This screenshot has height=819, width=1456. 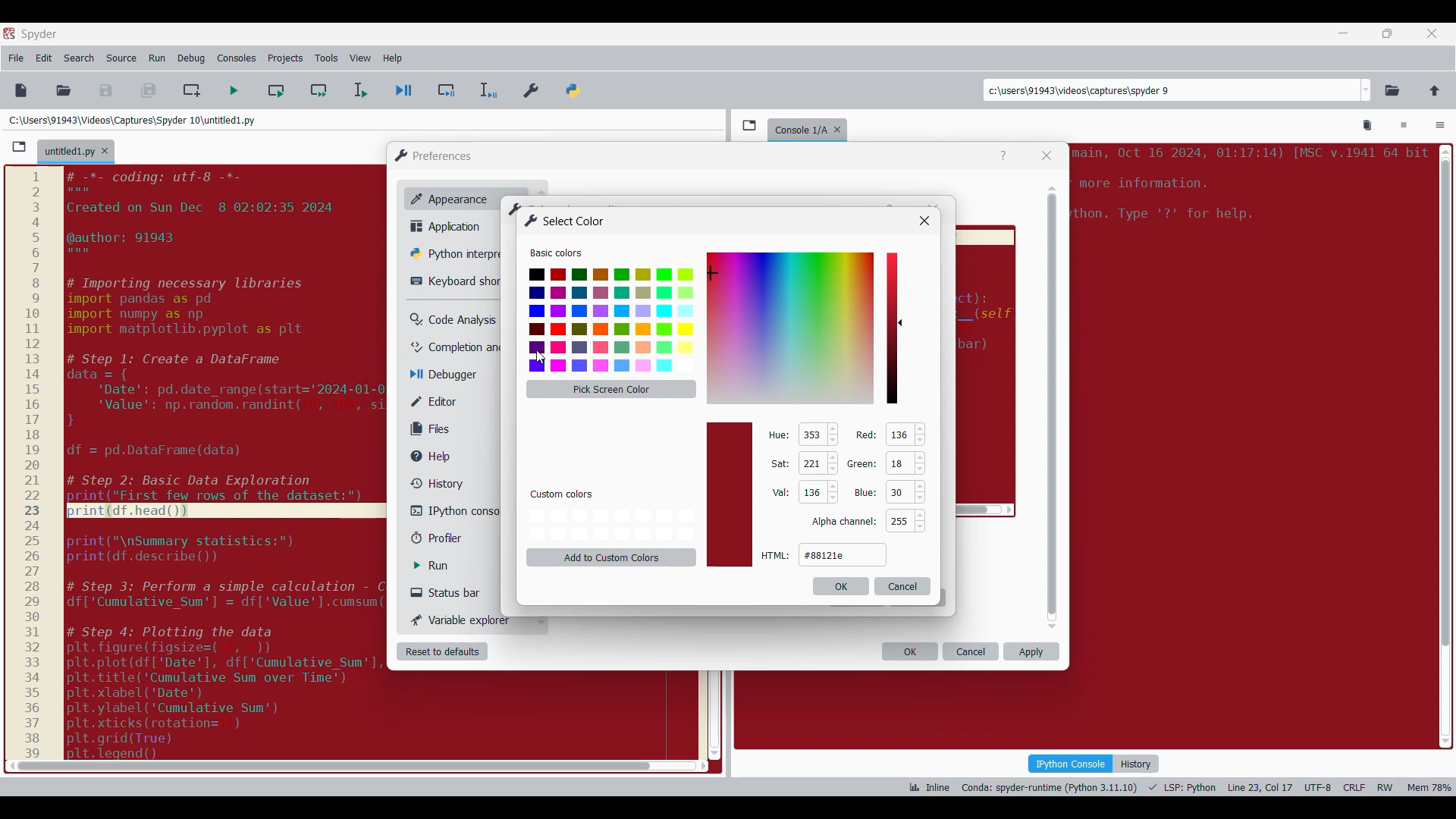 What do you see at coordinates (444, 401) in the screenshot?
I see `Editor` at bounding box center [444, 401].